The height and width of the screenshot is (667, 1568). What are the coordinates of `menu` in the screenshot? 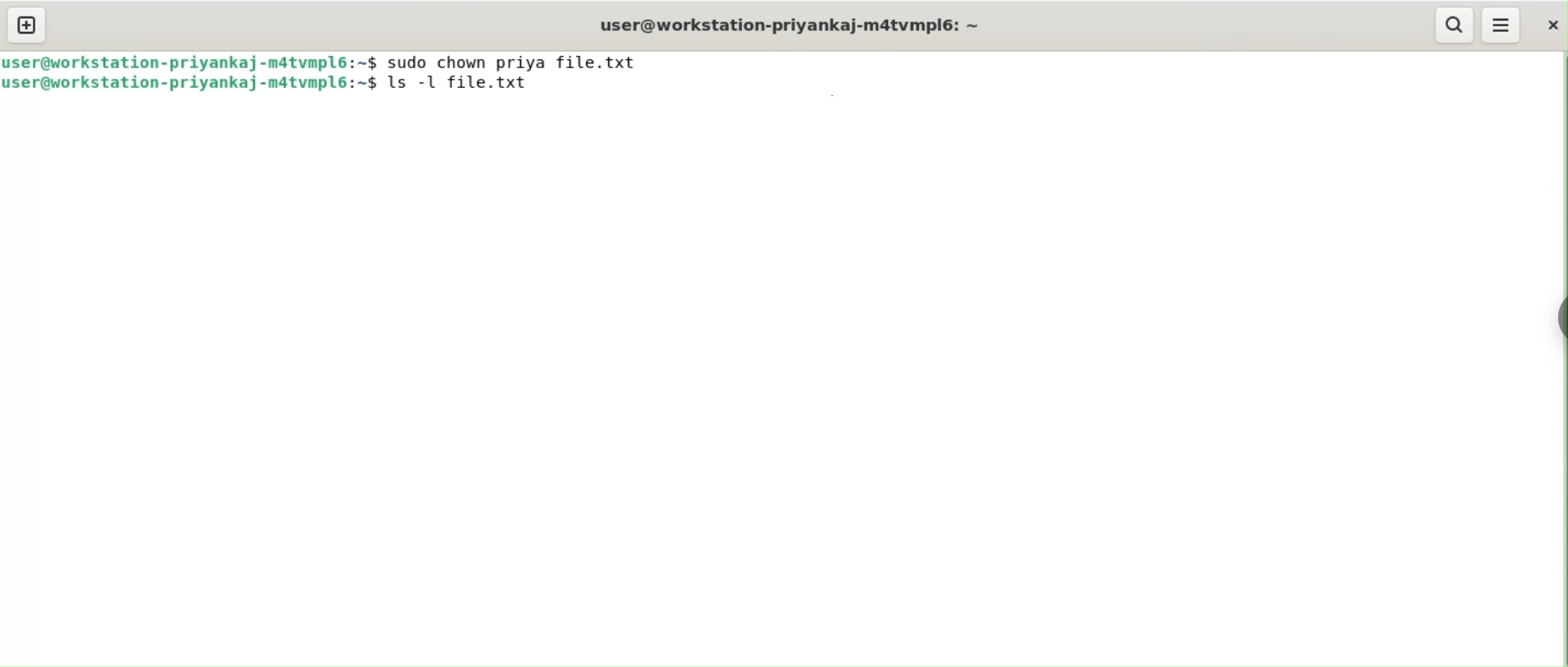 It's located at (1502, 25).